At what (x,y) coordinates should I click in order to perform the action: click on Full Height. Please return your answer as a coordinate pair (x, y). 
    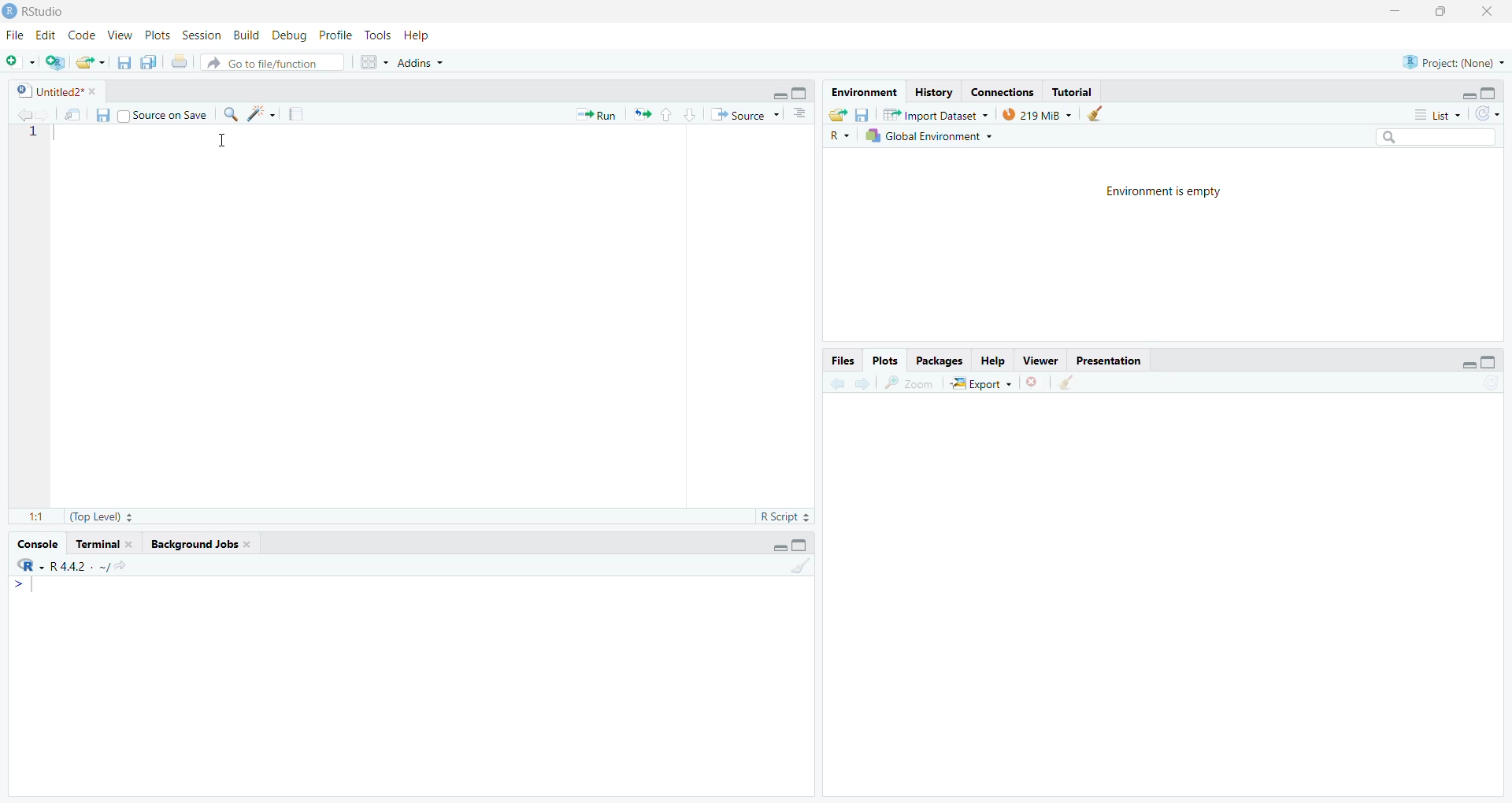
    Looking at the image, I should click on (800, 544).